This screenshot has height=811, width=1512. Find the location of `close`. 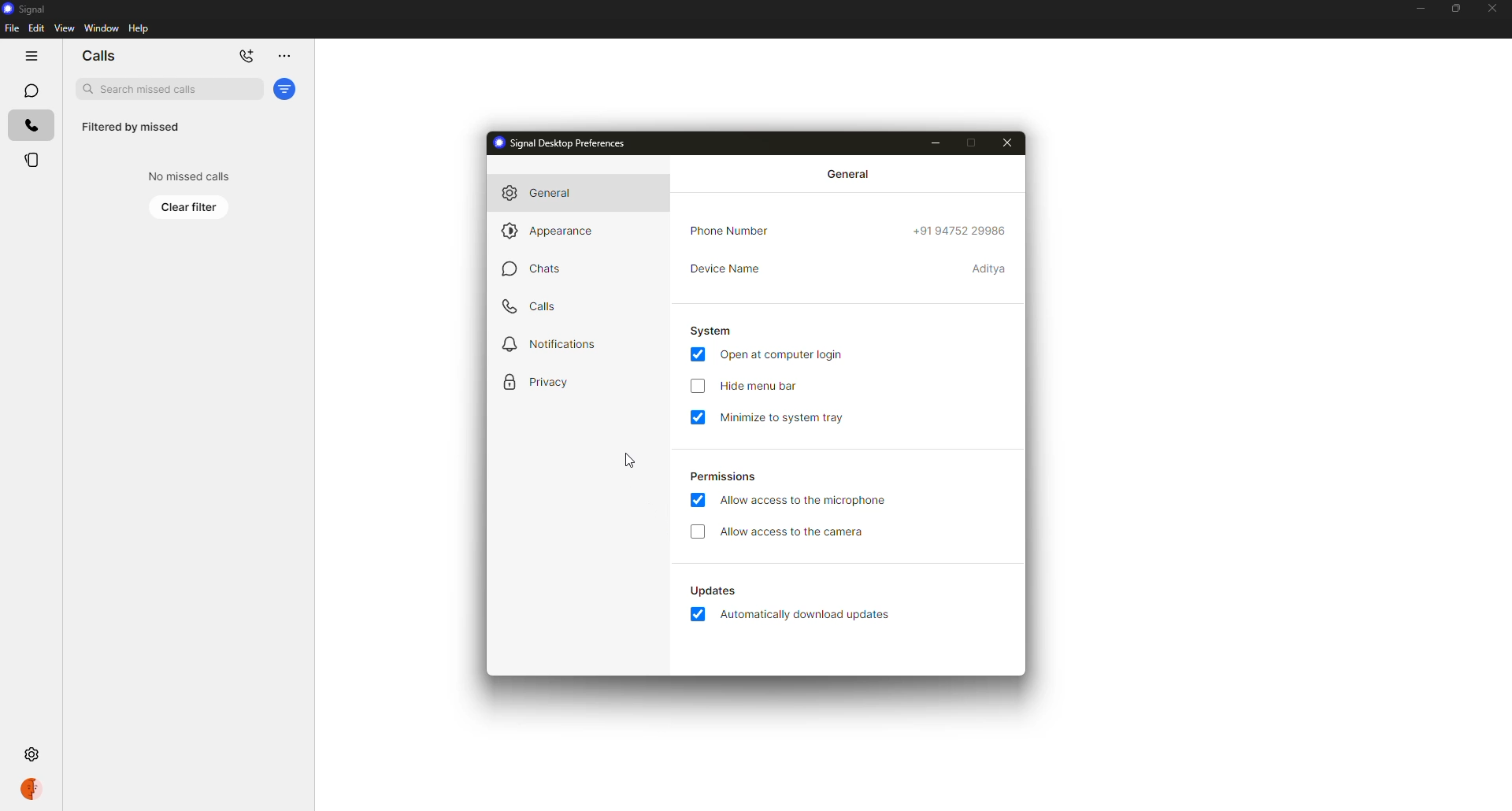

close is located at coordinates (1495, 9).